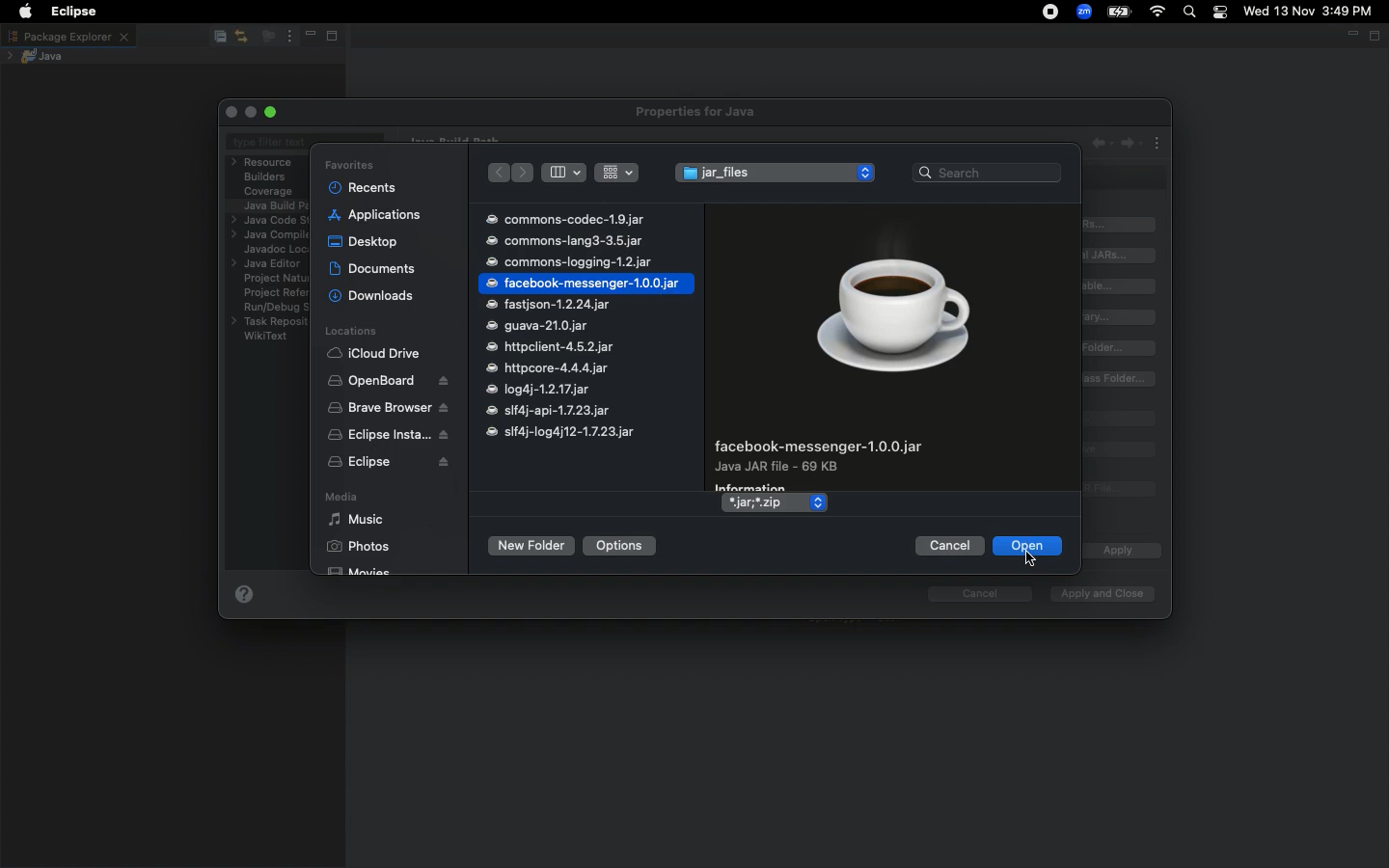  What do you see at coordinates (1120, 449) in the screenshot?
I see `Remove` at bounding box center [1120, 449].